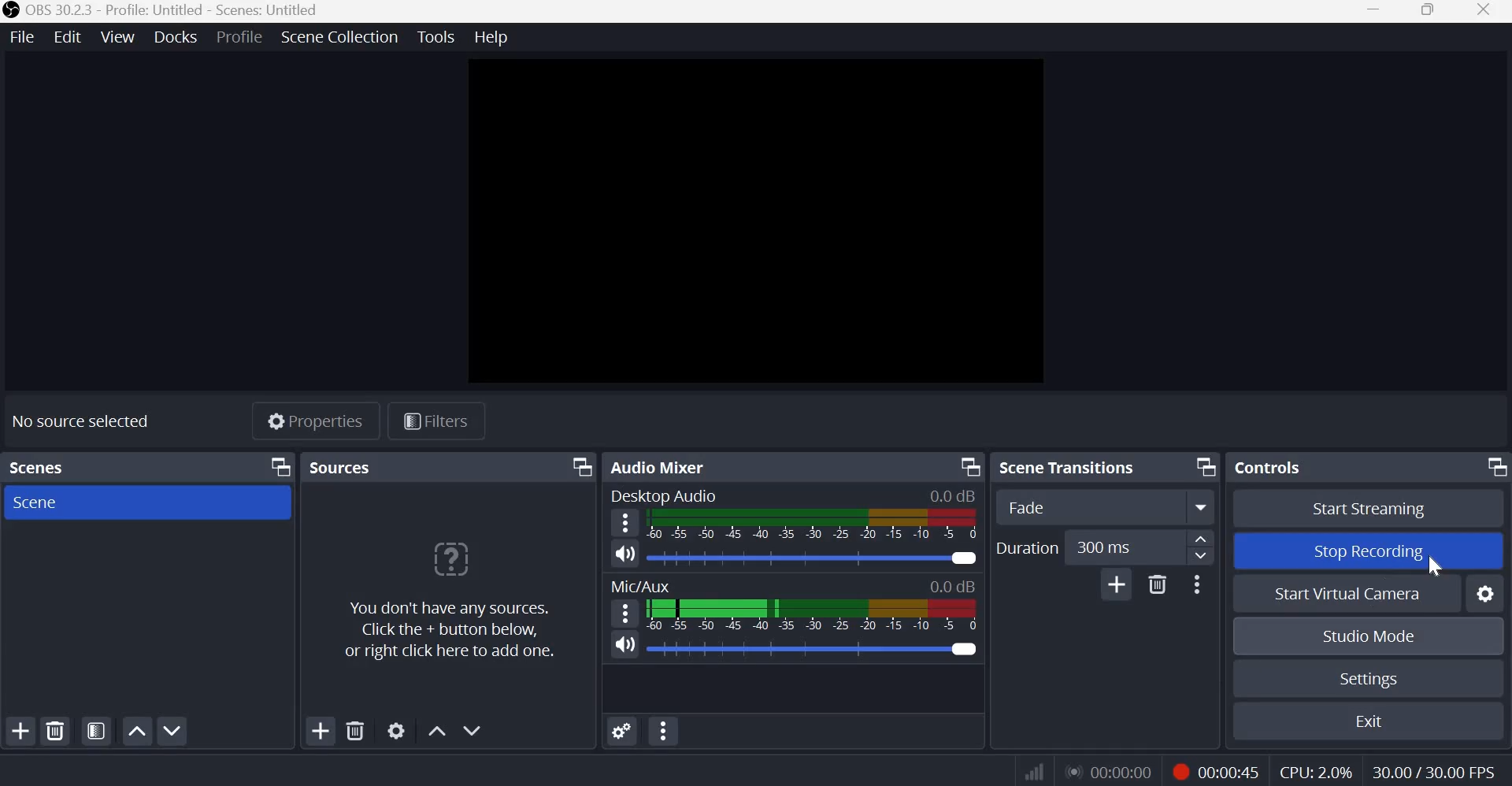 The width and height of the screenshot is (1512, 786). I want to click on No sources selected, so click(83, 420).